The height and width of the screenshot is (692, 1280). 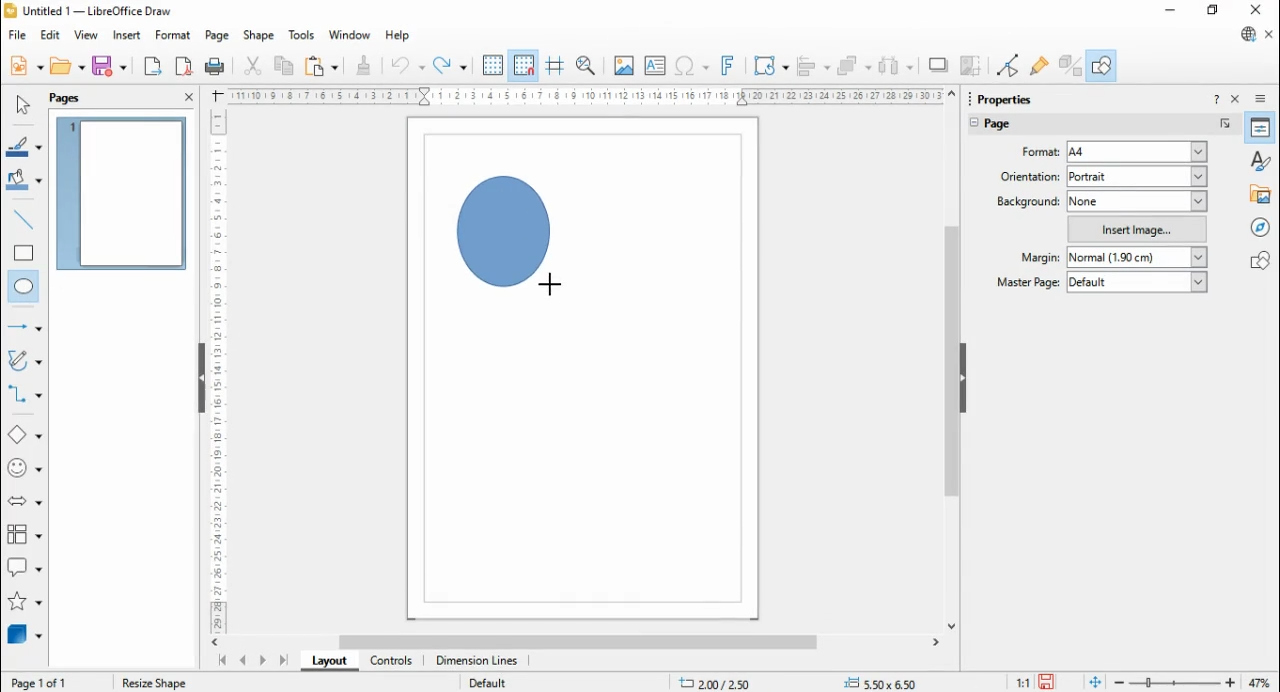 What do you see at coordinates (450, 66) in the screenshot?
I see `redo` at bounding box center [450, 66].